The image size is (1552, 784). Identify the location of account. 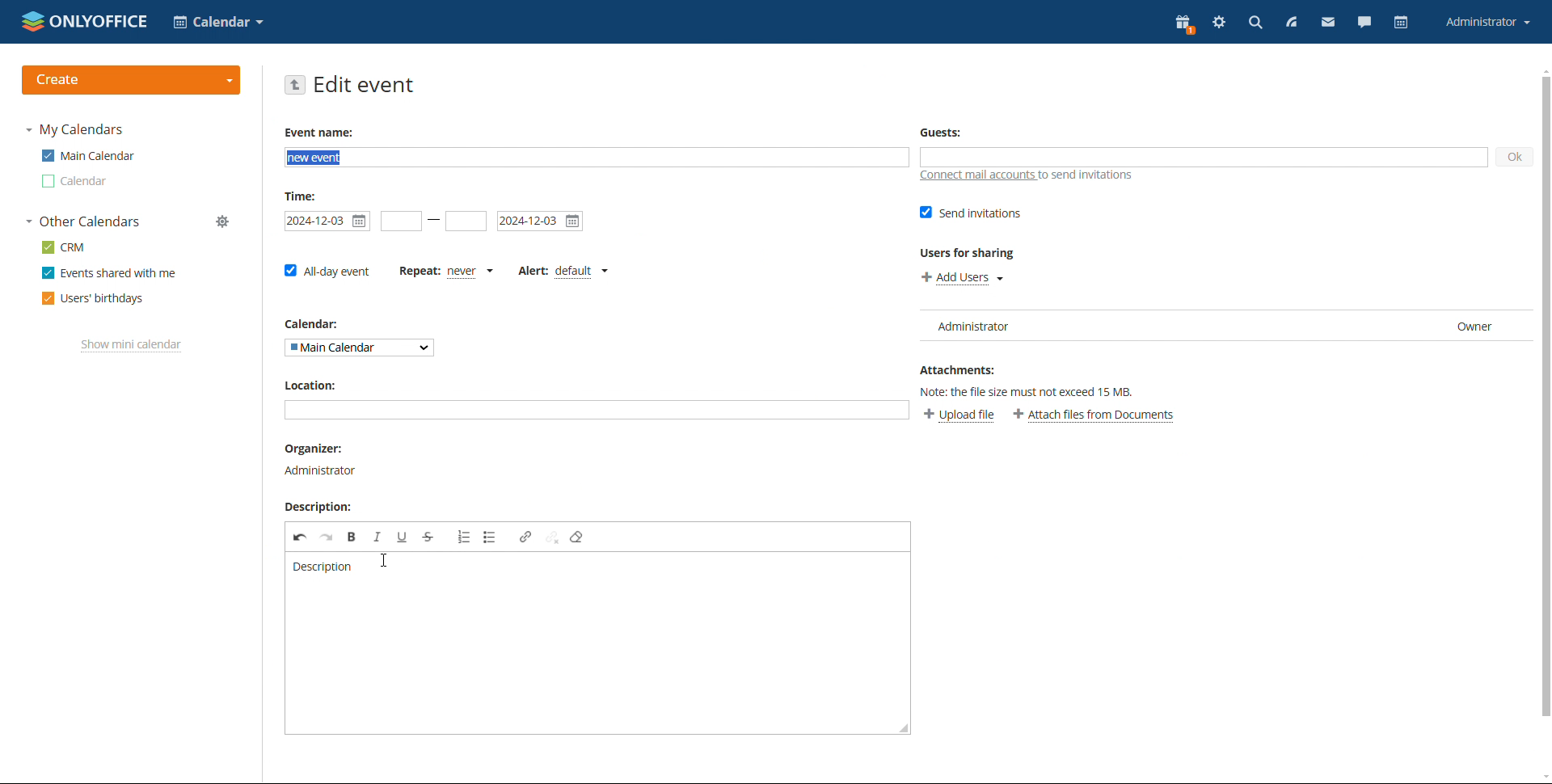
(1489, 23).